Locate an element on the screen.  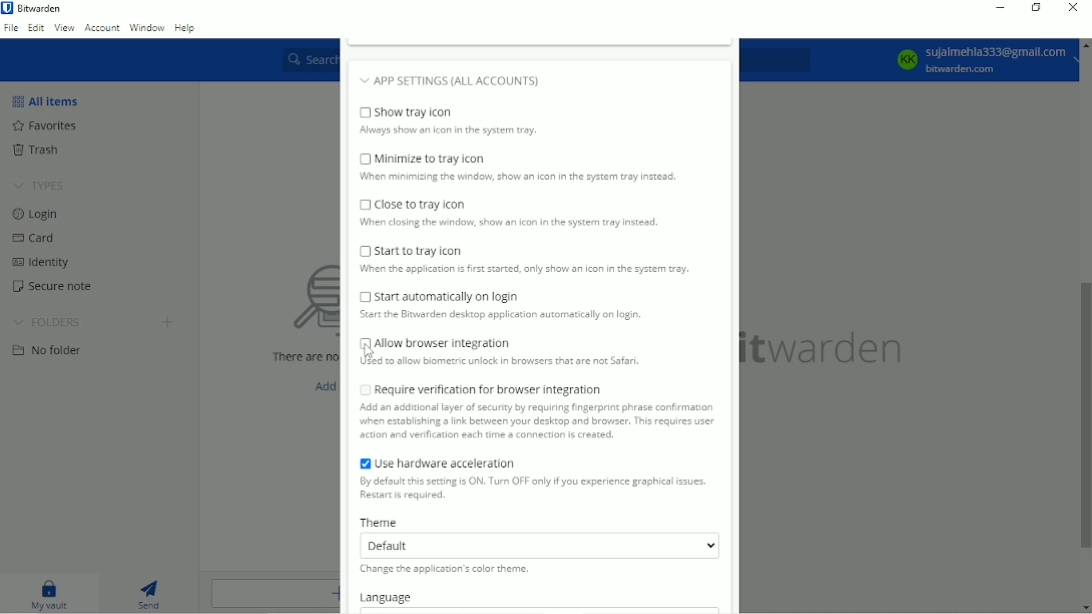
Set the bitwarden desktop application automatically on login. is located at coordinates (518, 318).